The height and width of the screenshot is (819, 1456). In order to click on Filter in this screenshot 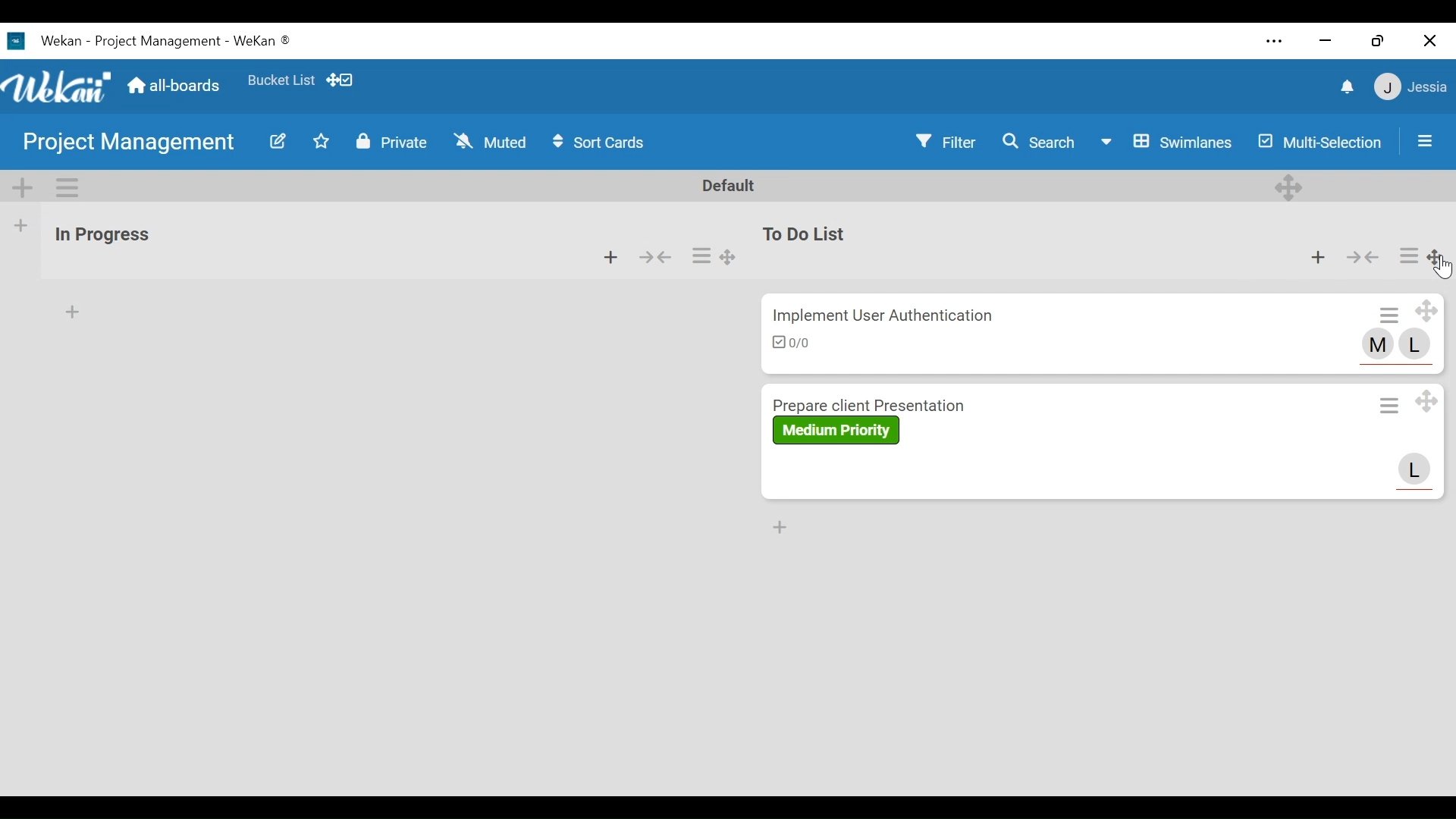, I will do `click(945, 141)`.